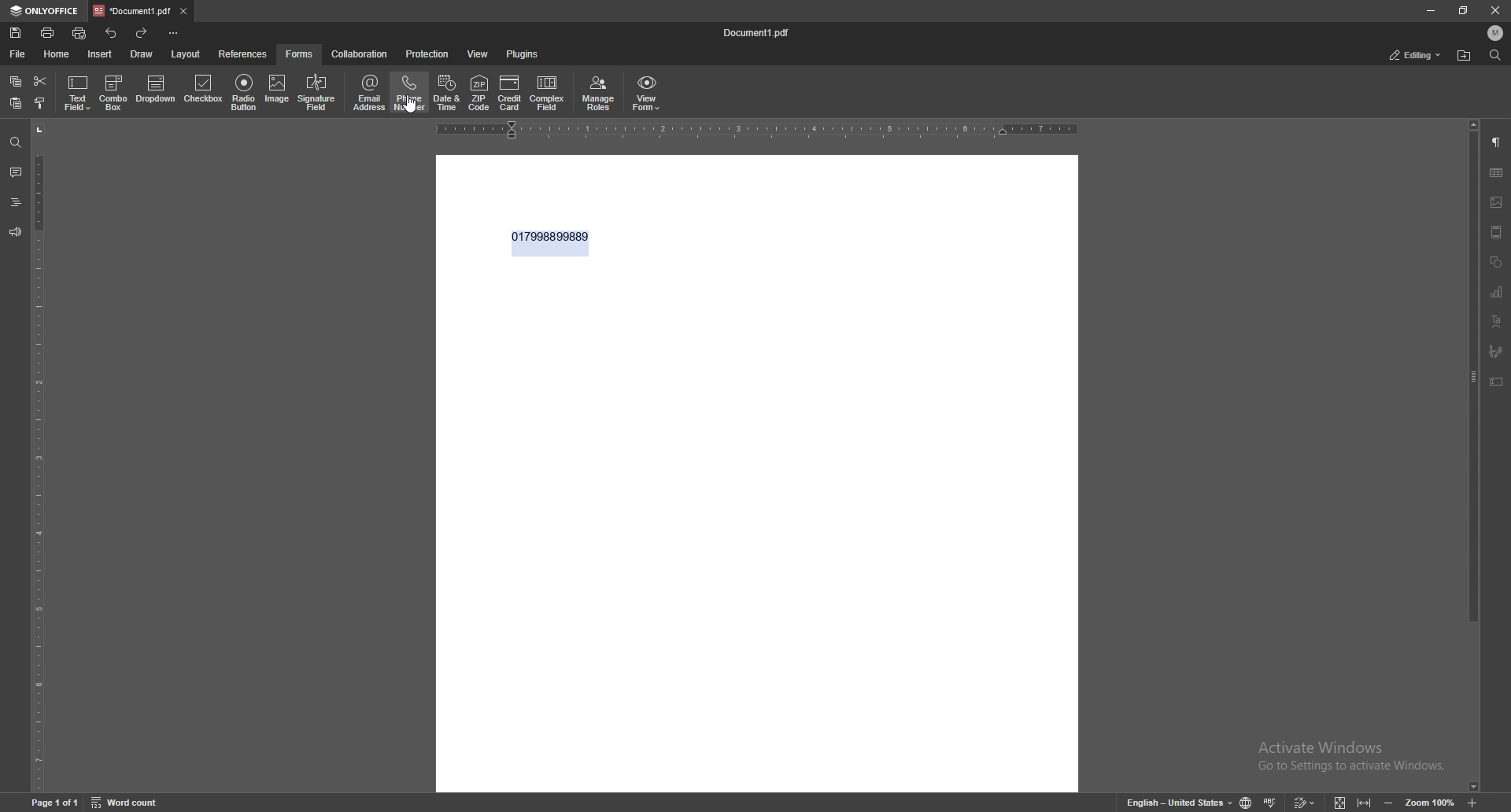 The image size is (1511, 812). What do you see at coordinates (15, 143) in the screenshot?
I see `find` at bounding box center [15, 143].